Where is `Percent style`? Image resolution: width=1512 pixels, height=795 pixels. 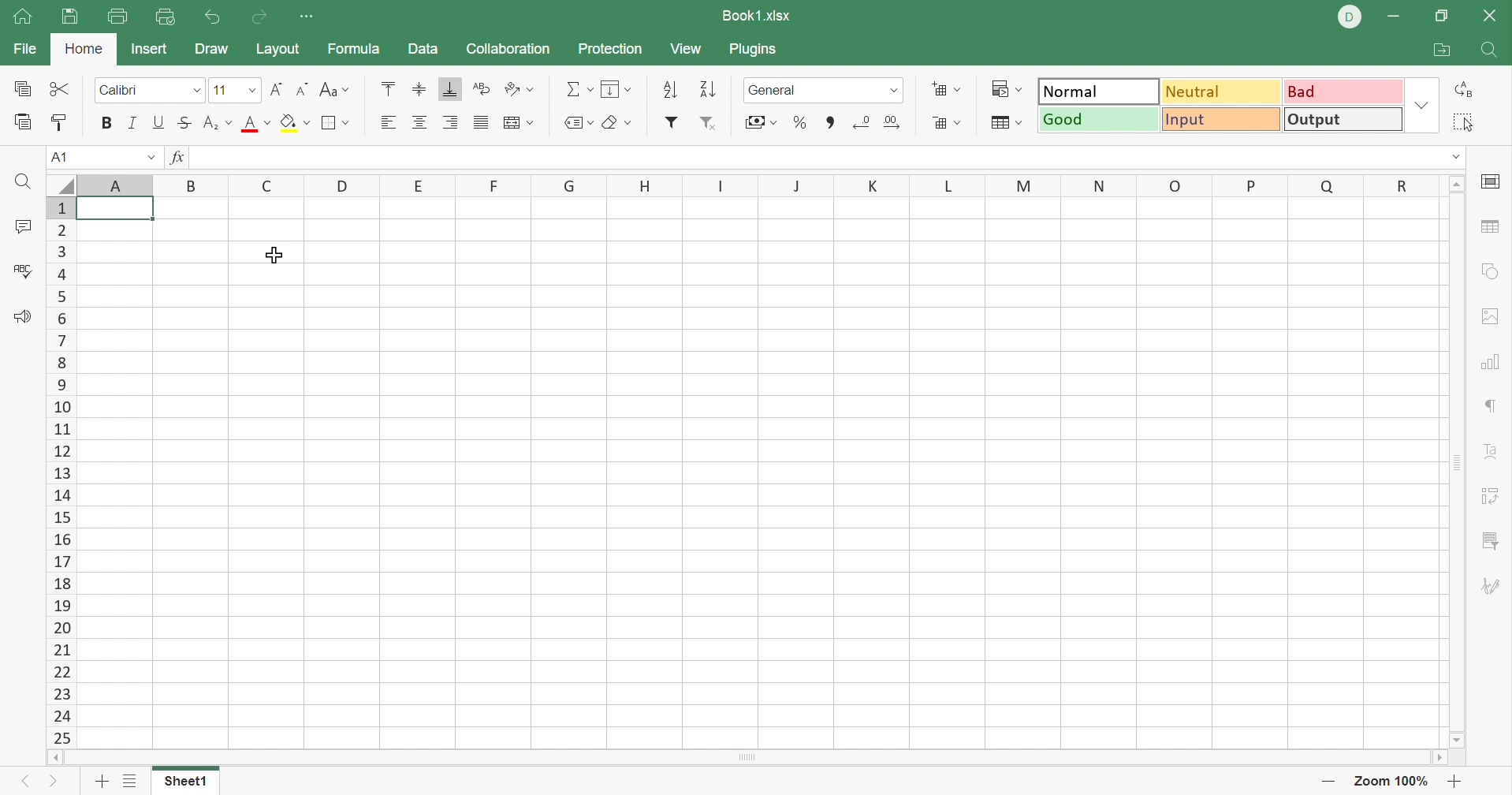 Percent style is located at coordinates (798, 123).